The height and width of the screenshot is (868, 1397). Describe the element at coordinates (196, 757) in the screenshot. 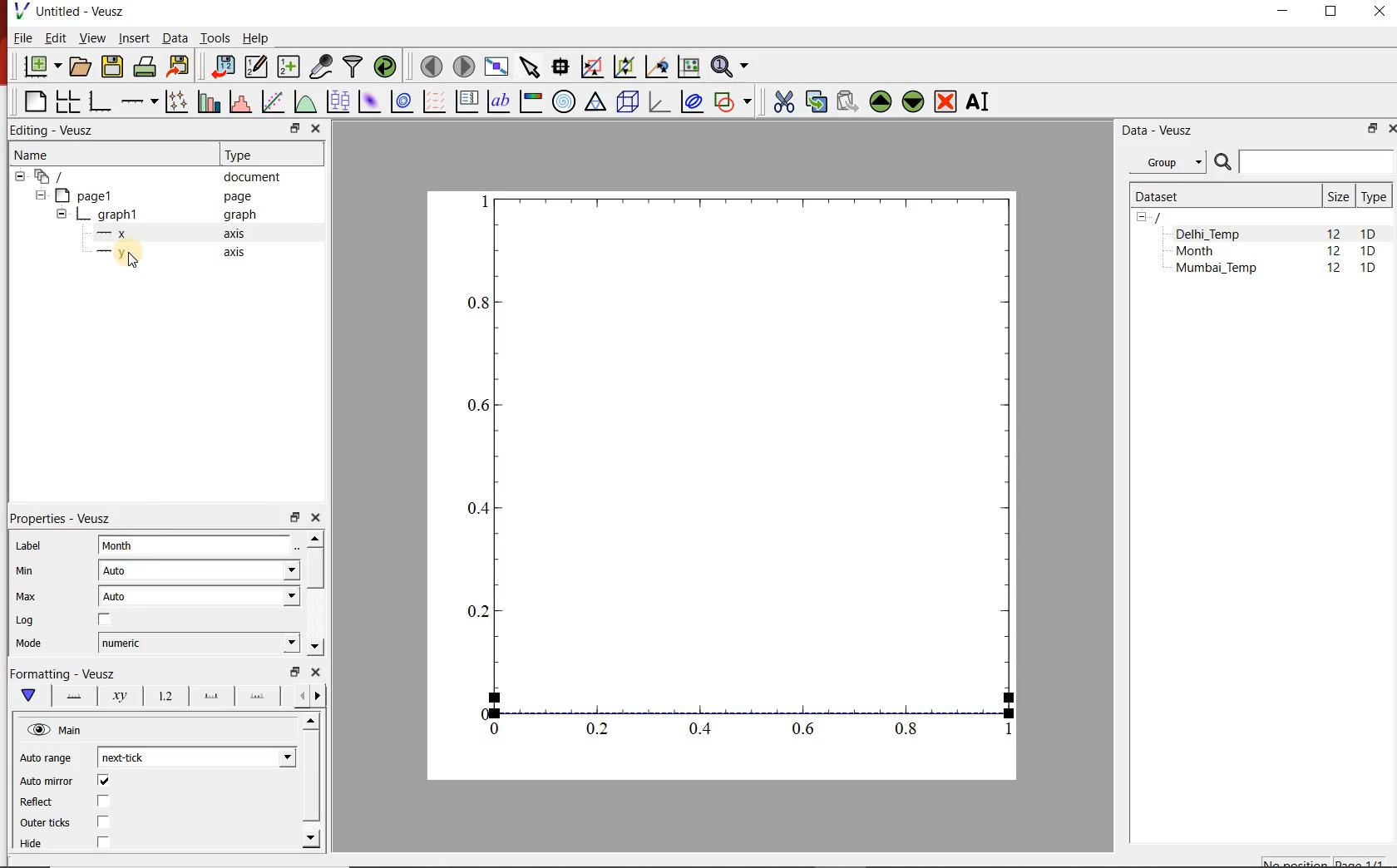

I see `next-tick` at that location.